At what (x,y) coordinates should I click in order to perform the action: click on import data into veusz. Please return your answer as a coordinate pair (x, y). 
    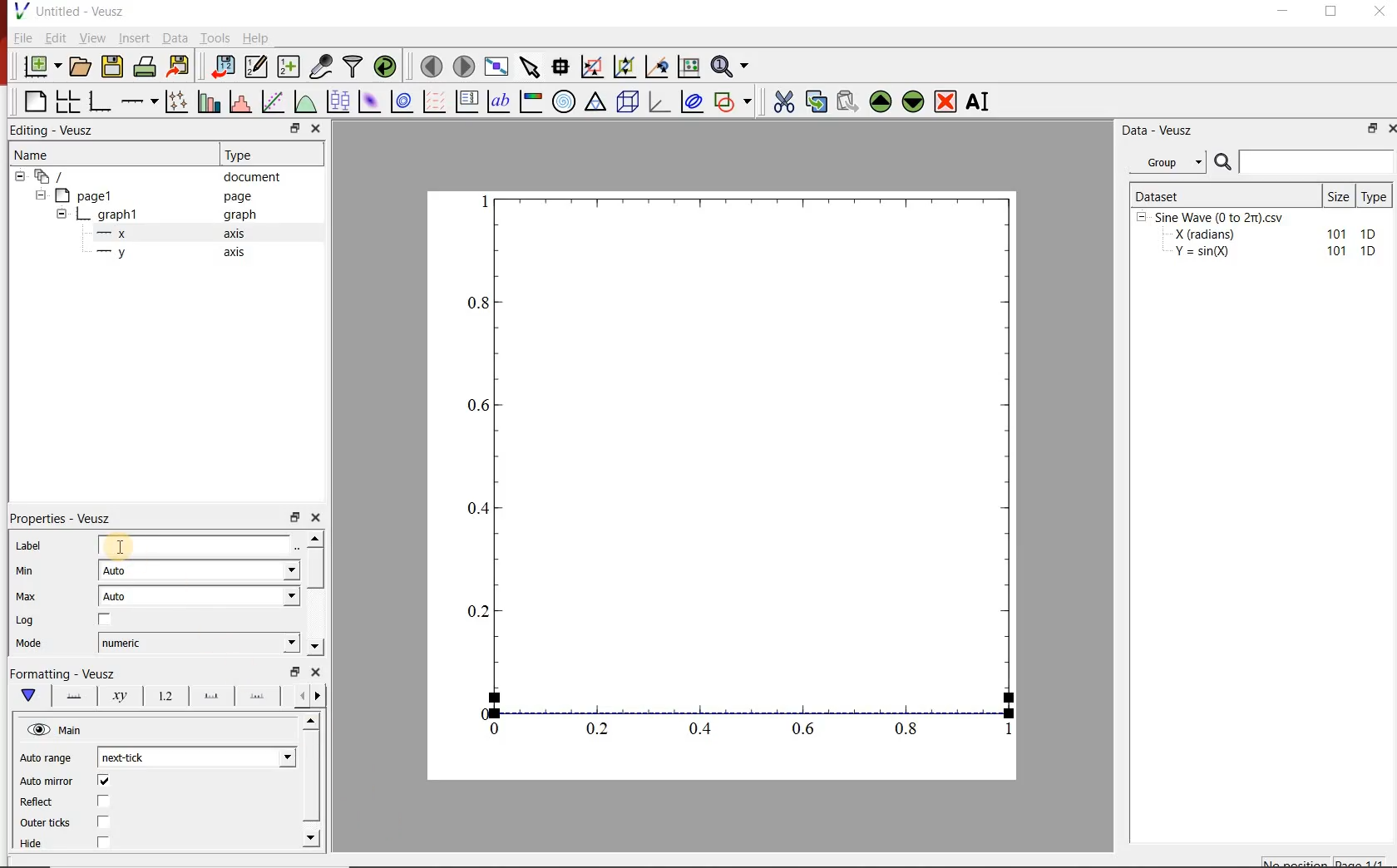
    Looking at the image, I should click on (221, 66).